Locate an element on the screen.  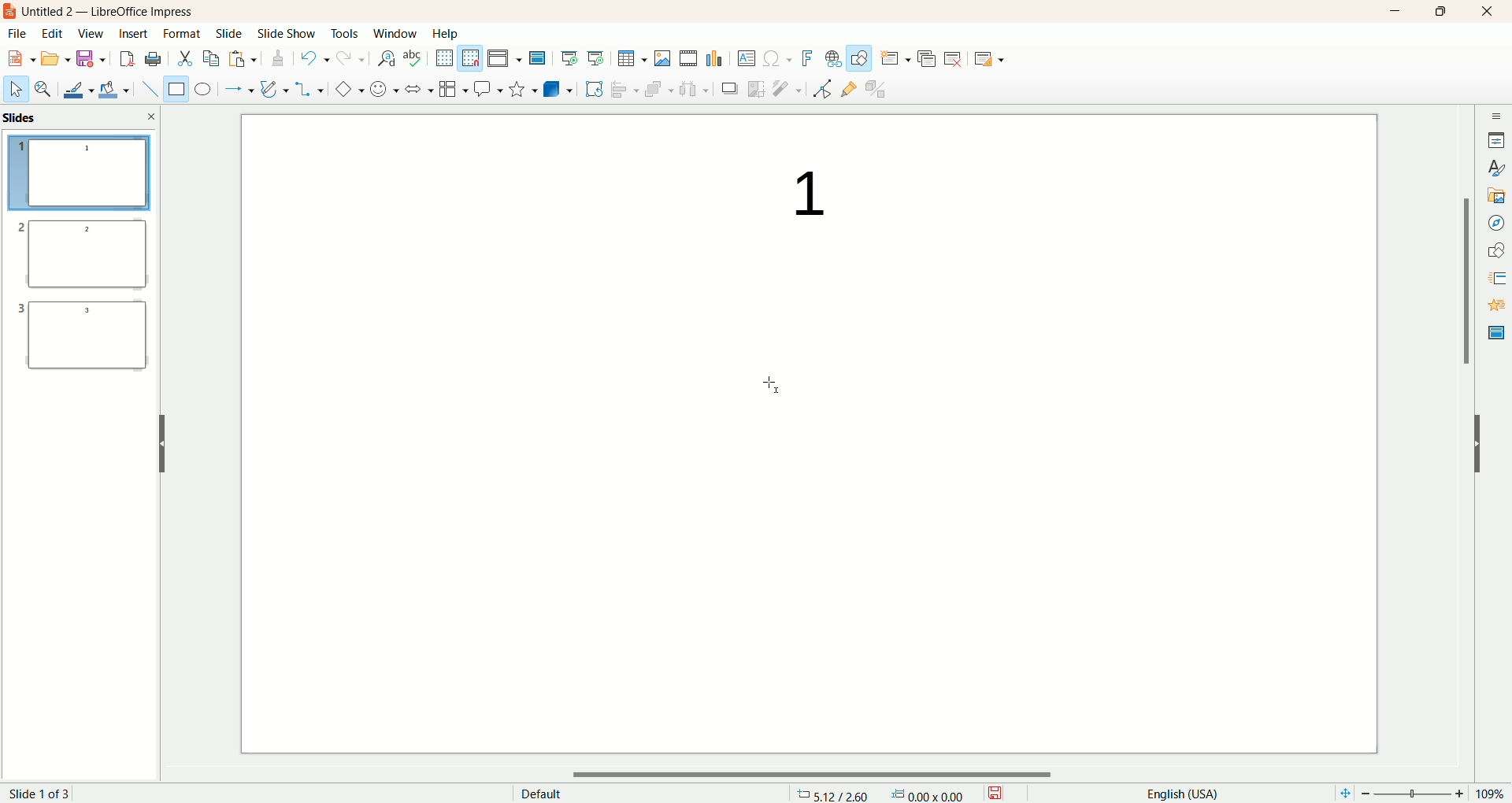
gluepoint function is located at coordinates (848, 90).